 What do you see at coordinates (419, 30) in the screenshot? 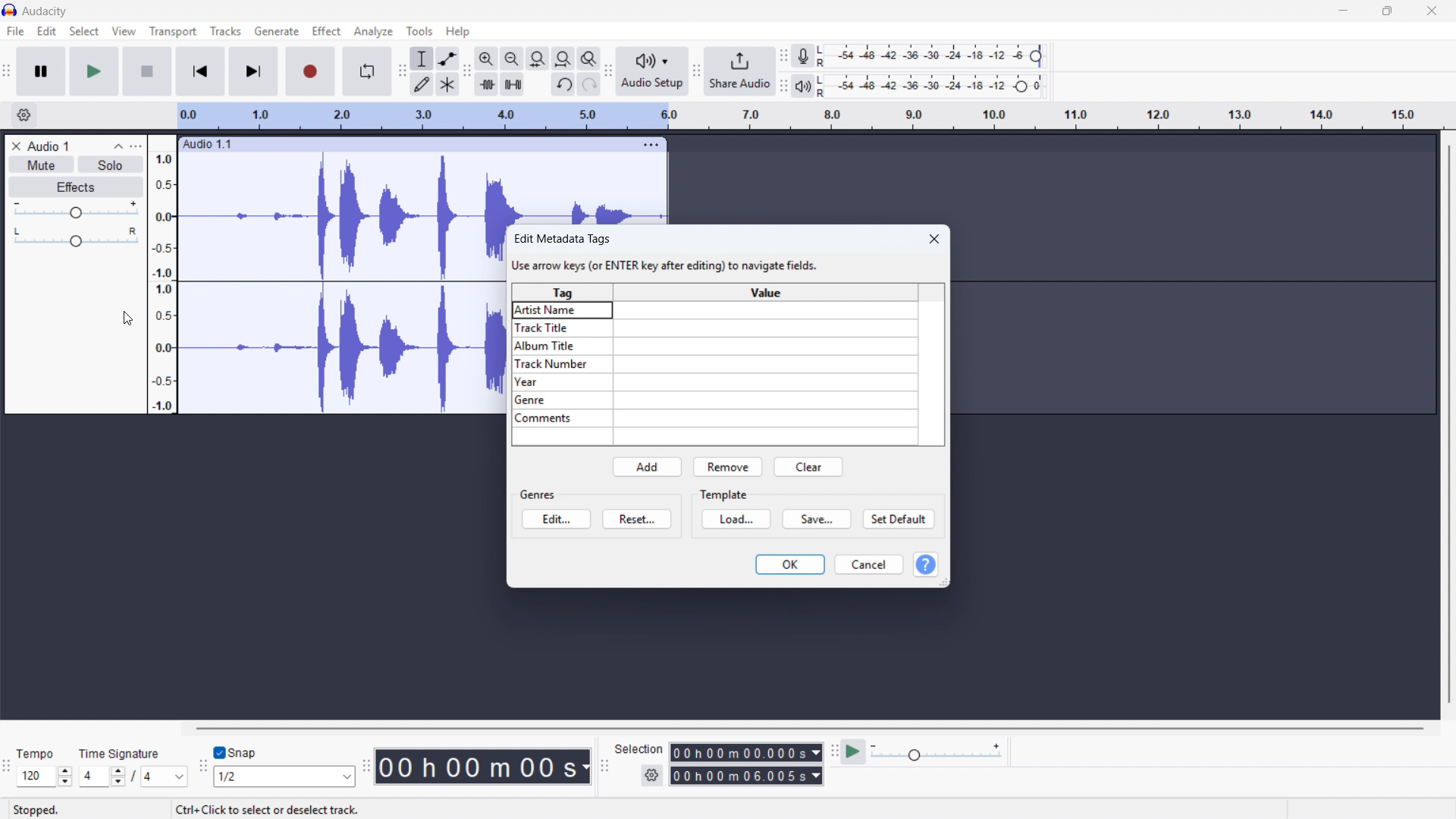
I see `tools` at bounding box center [419, 30].